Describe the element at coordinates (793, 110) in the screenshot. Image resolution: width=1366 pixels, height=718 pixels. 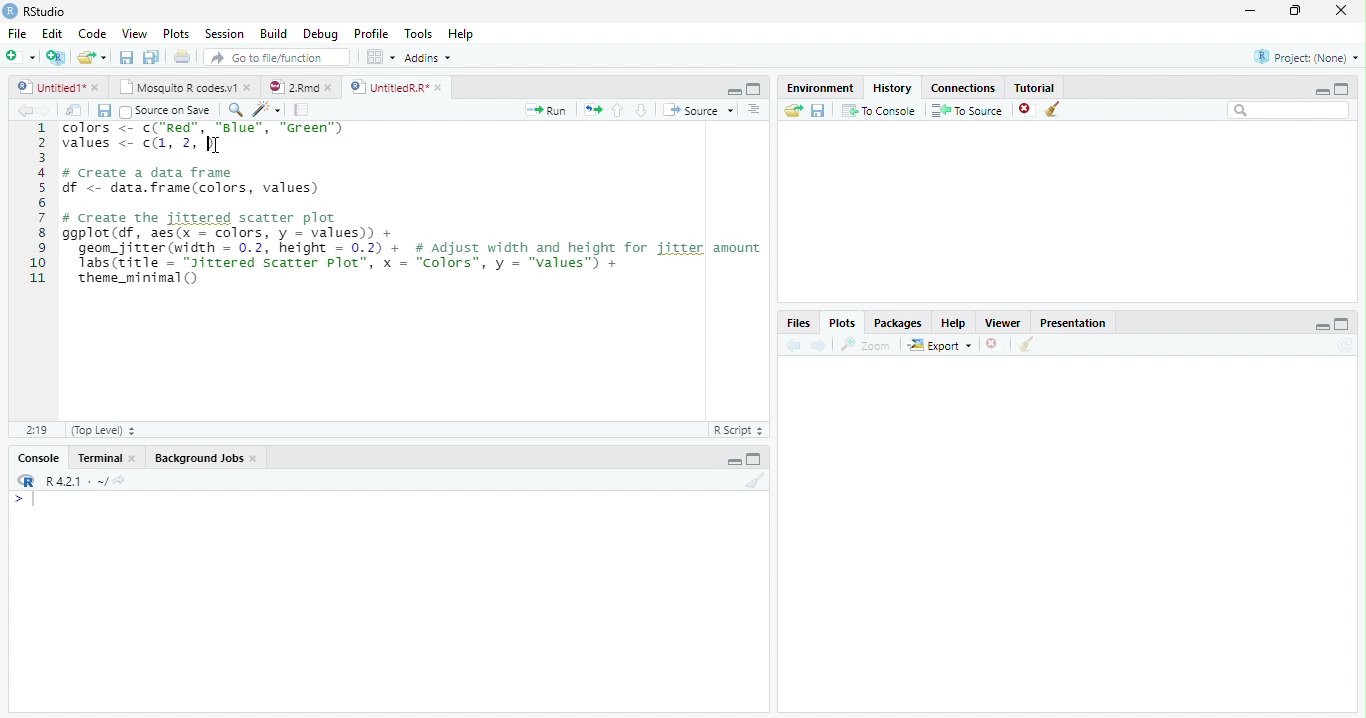
I see `Load history from an existing file` at that location.